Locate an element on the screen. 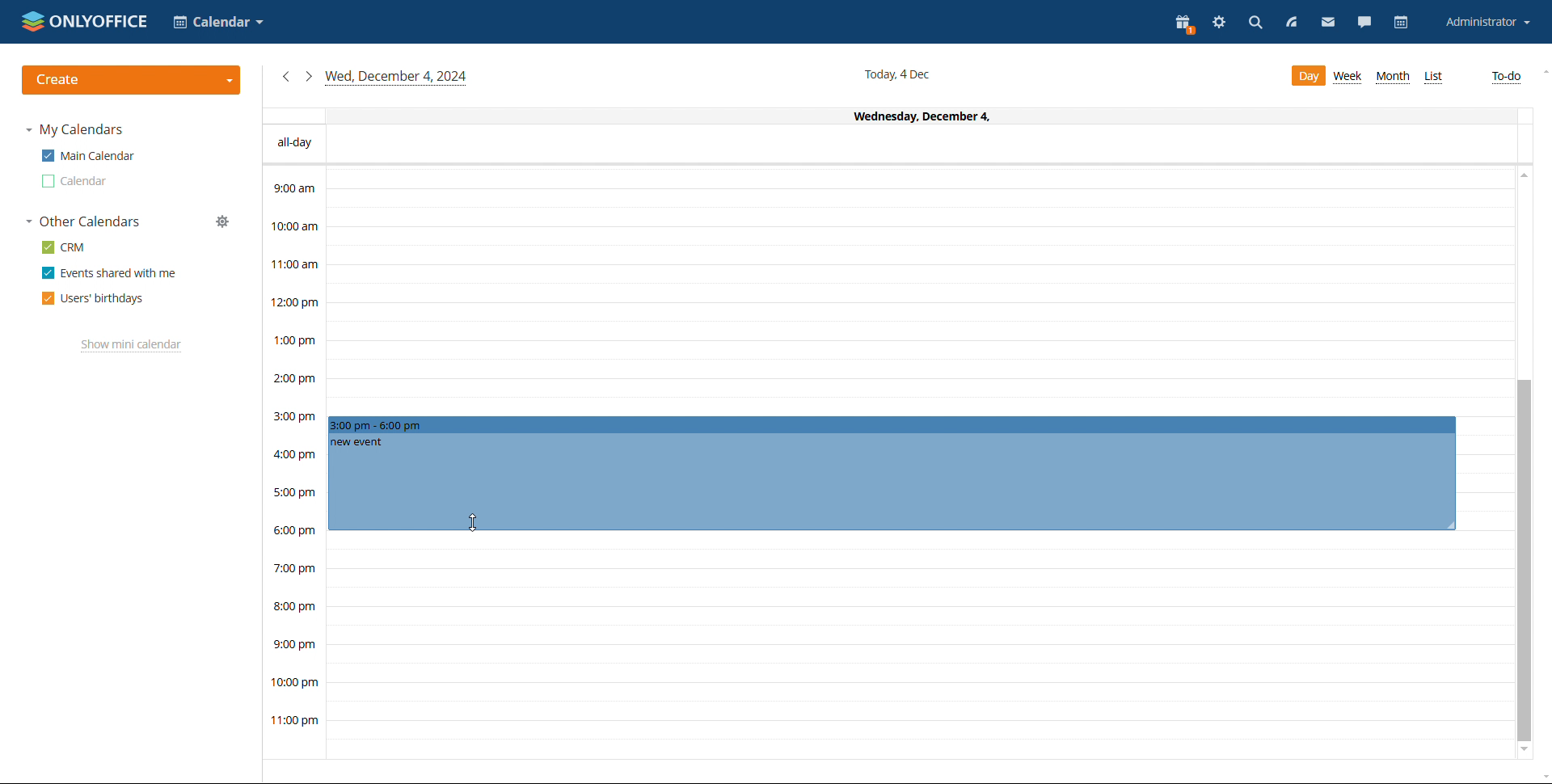 This screenshot has width=1552, height=784. current date is located at coordinates (900, 74).